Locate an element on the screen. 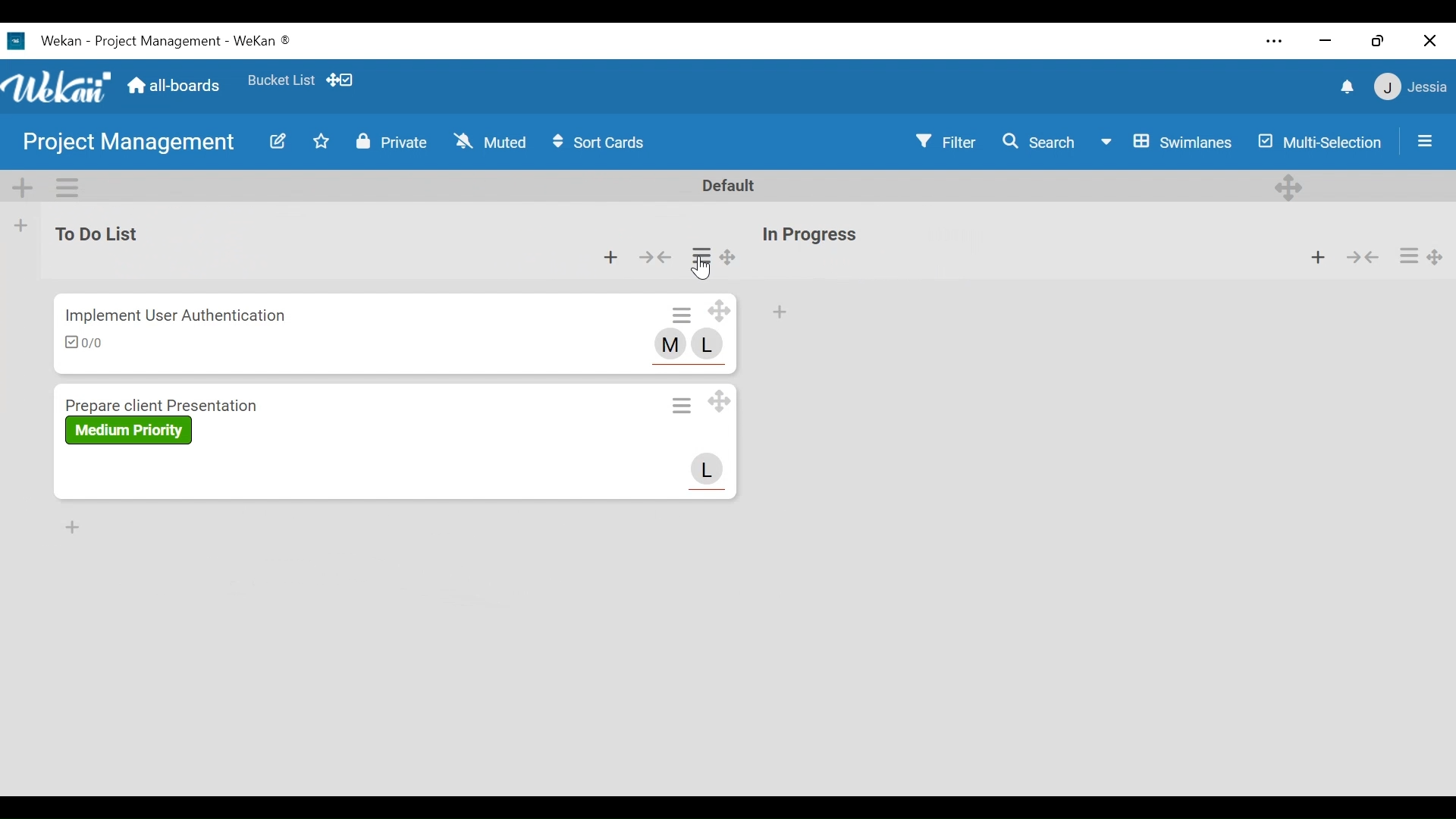  Card Actions is located at coordinates (680, 403).